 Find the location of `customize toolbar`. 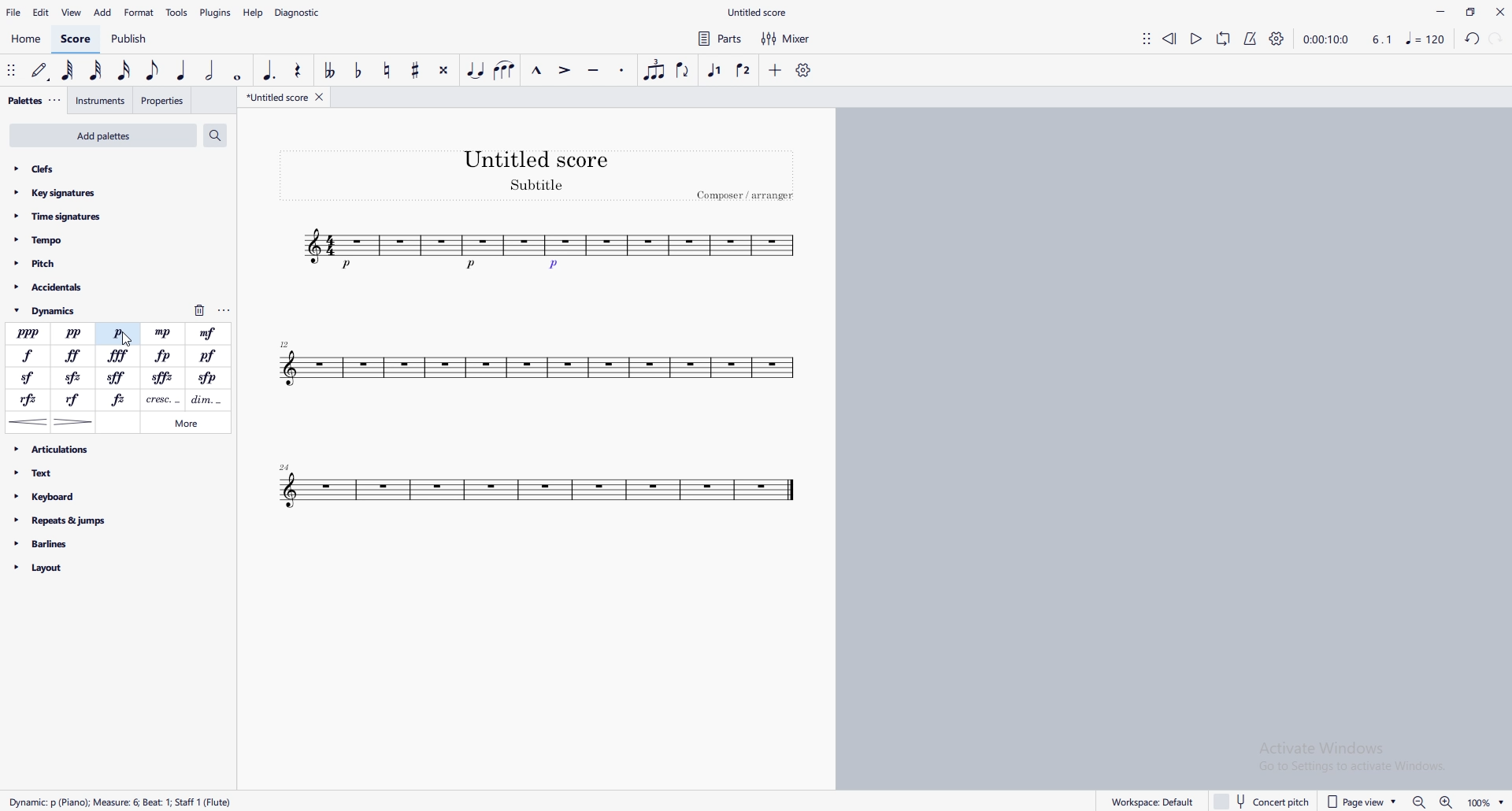

customize toolbar is located at coordinates (803, 69).